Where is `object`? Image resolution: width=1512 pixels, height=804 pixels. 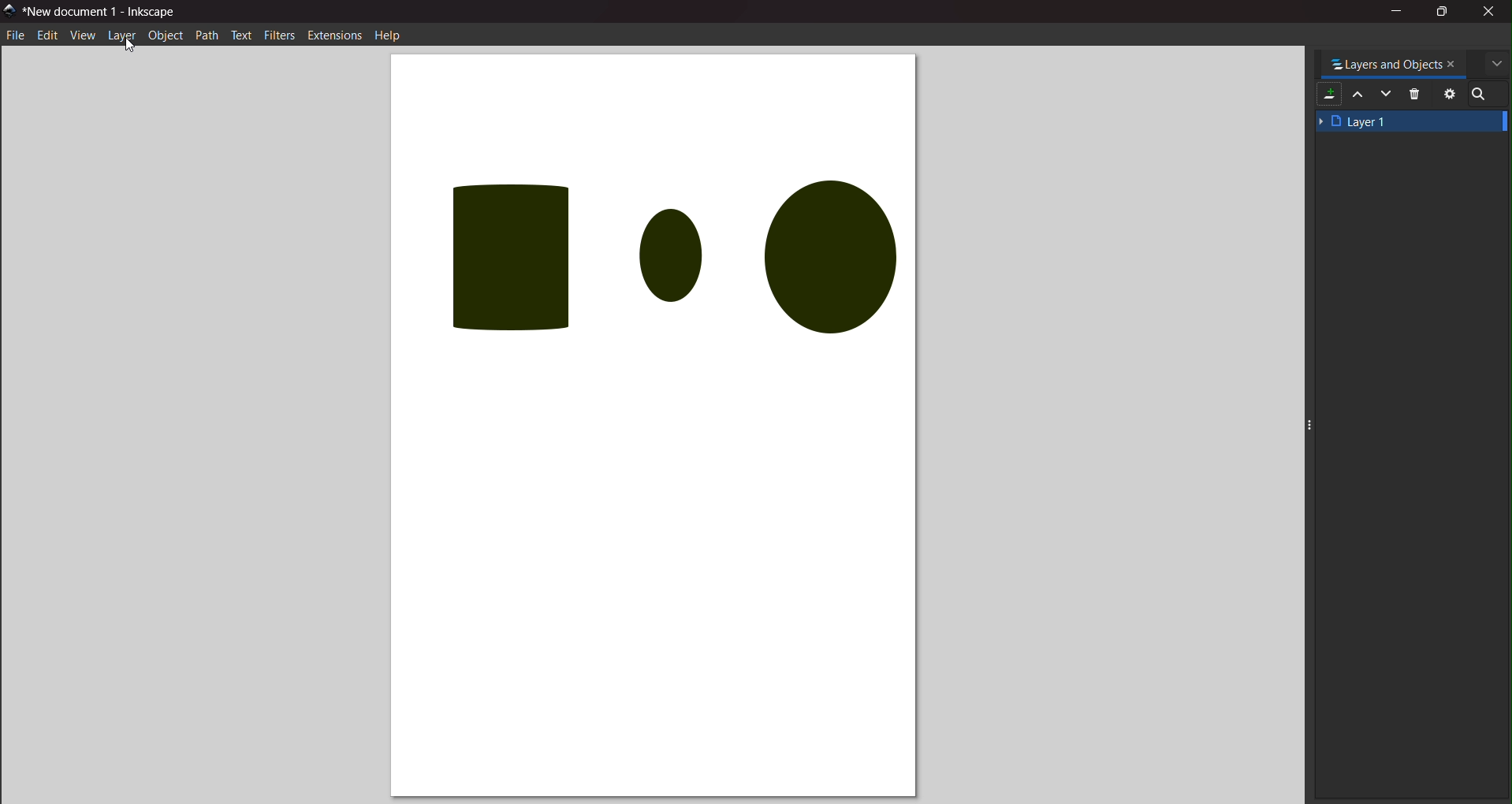
object is located at coordinates (165, 35).